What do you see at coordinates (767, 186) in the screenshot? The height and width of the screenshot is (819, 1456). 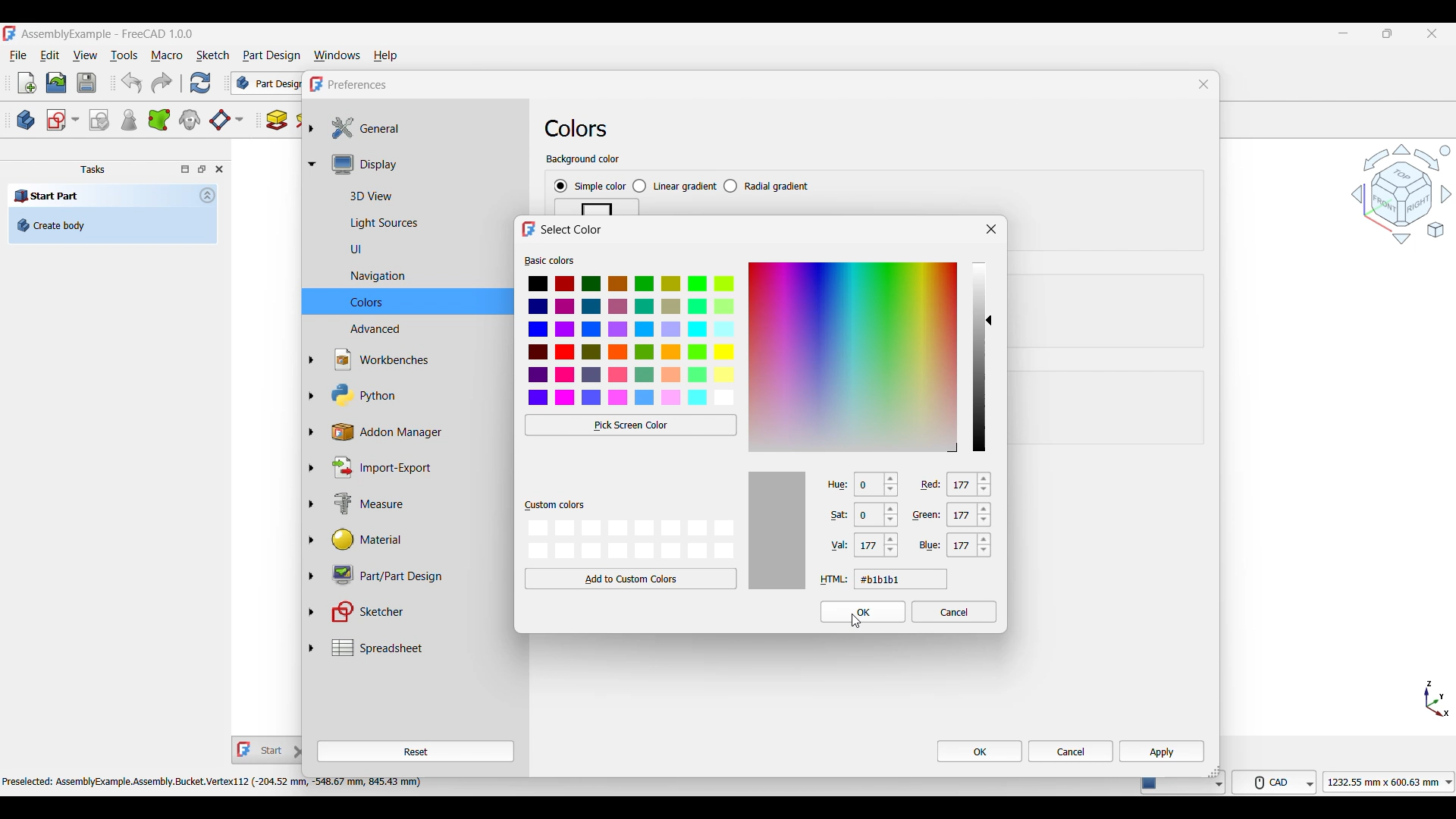 I see `Radial gradient toggle` at bounding box center [767, 186].